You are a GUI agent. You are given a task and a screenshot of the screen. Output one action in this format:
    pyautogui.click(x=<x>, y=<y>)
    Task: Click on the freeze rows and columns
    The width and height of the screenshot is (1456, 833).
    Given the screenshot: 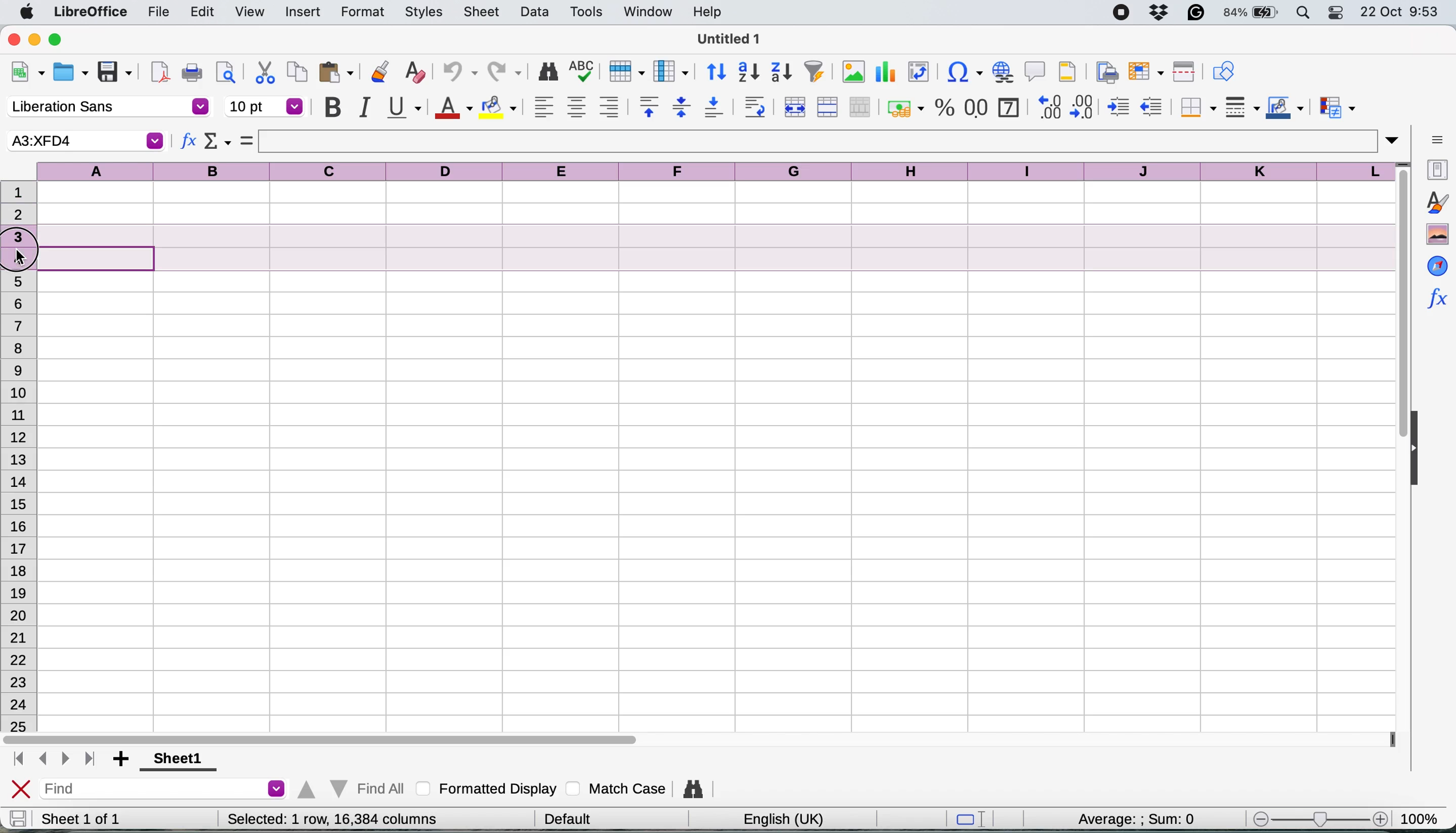 What is the action you would take?
    pyautogui.click(x=1143, y=72)
    